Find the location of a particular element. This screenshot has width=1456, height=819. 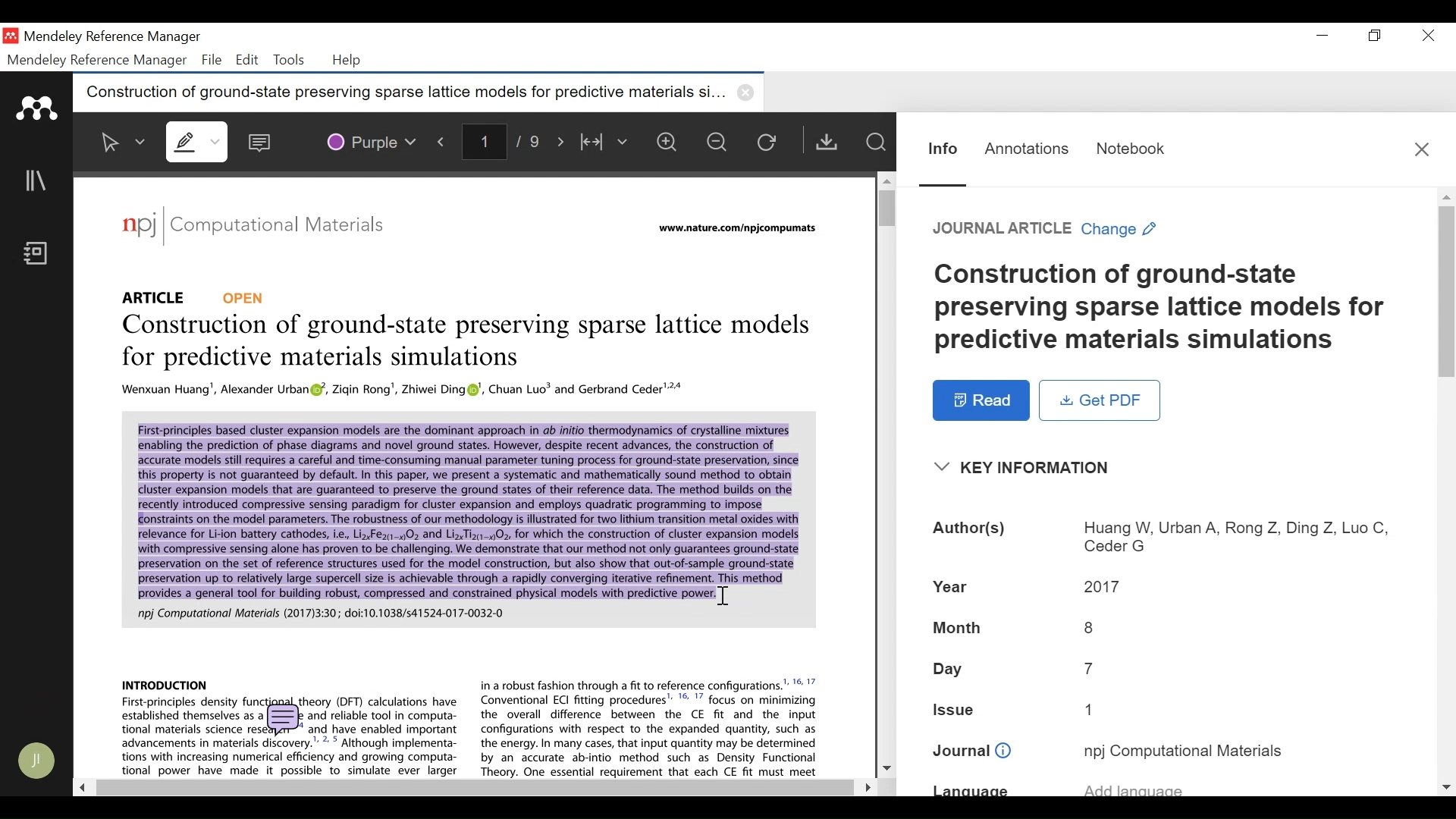

Fit to Width is located at coordinates (606, 142).